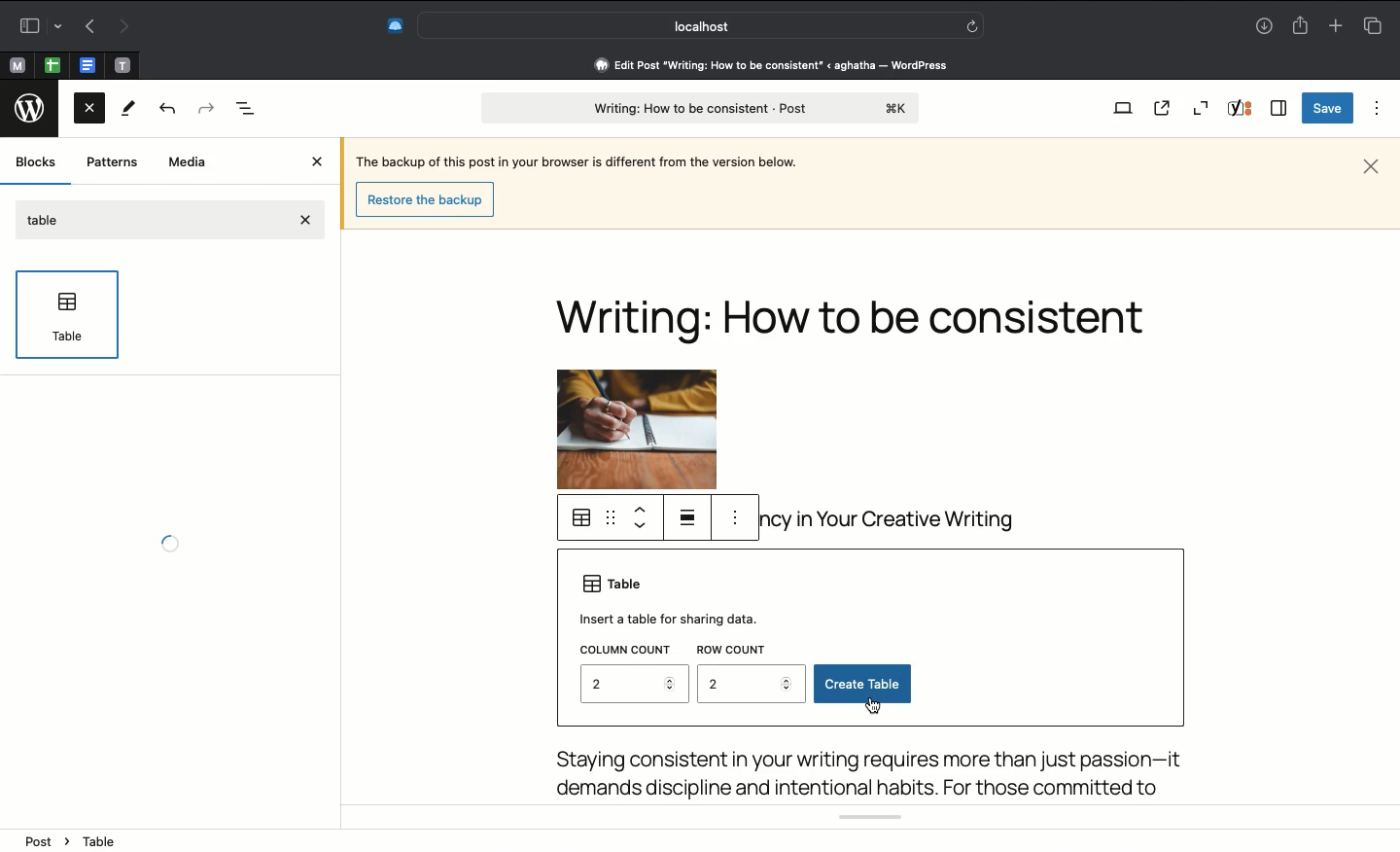  Describe the element at coordinates (877, 706) in the screenshot. I see `cursor` at that location.